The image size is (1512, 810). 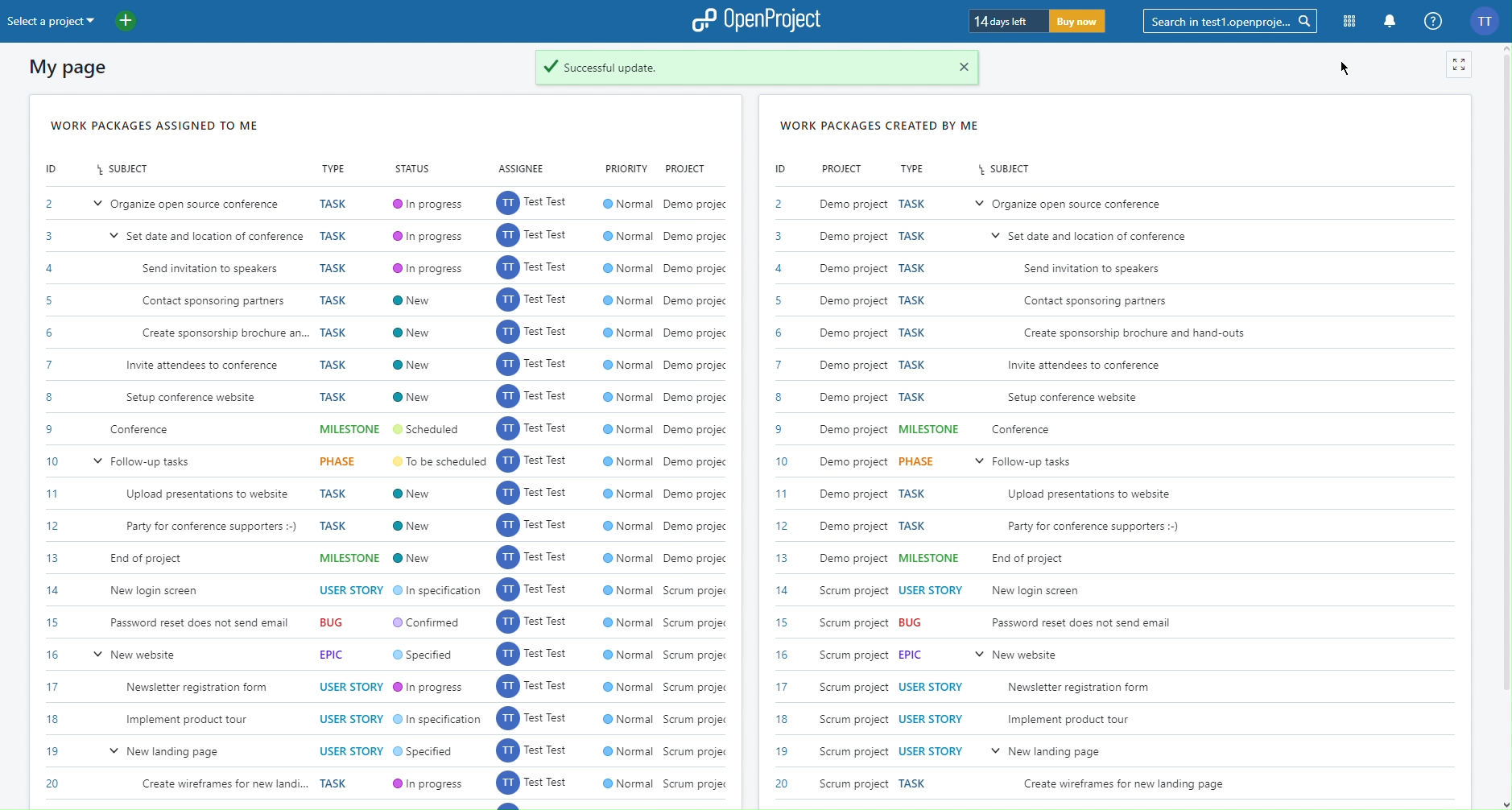 What do you see at coordinates (336, 169) in the screenshot?
I see `Type` at bounding box center [336, 169].